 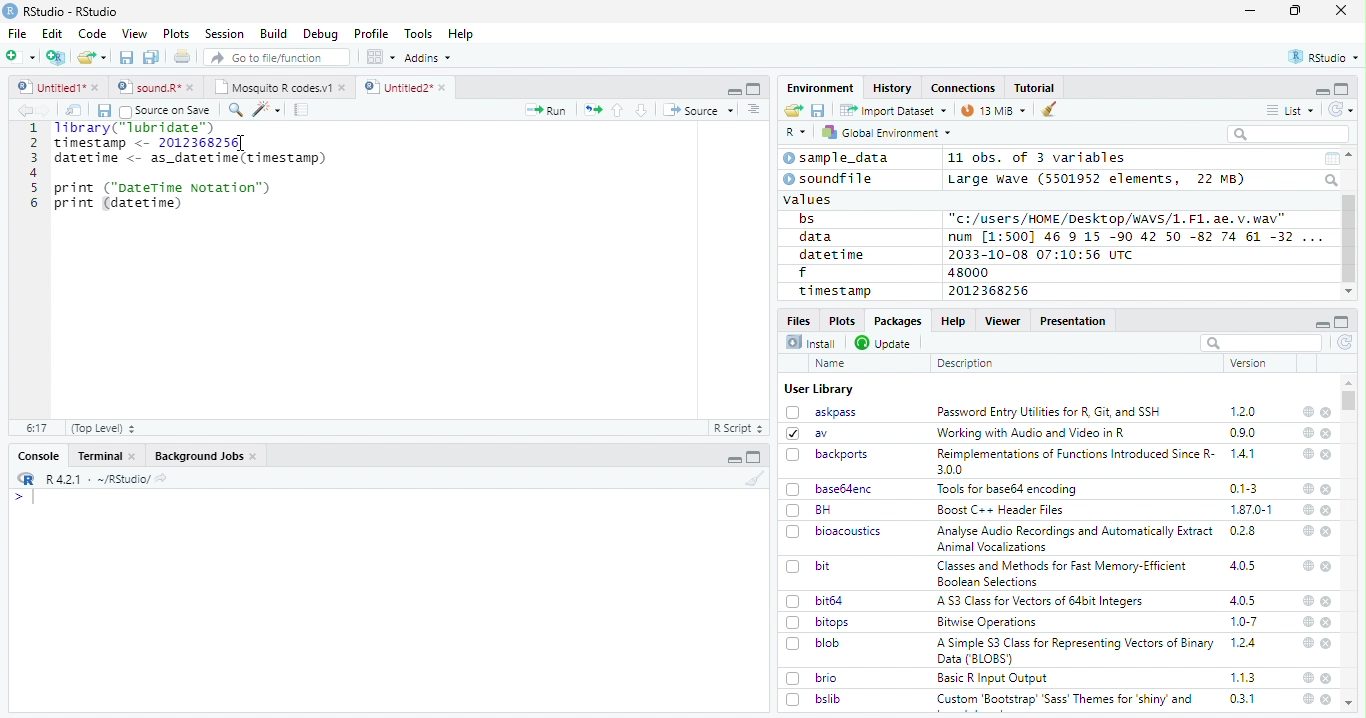 What do you see at coordinates (278, 57) in the screenshot?
I see `Go to file/function` at bounding box center [278, 57].